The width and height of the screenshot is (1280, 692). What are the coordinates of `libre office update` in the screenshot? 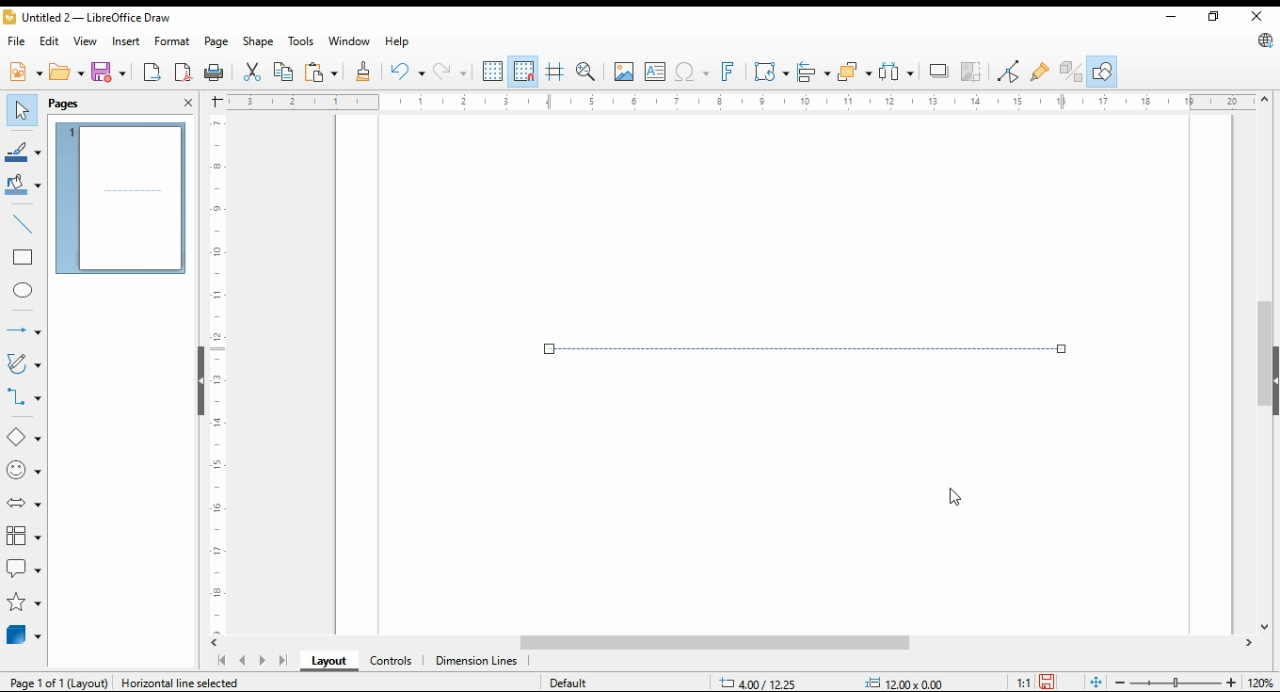 It's located at (1264, 40).